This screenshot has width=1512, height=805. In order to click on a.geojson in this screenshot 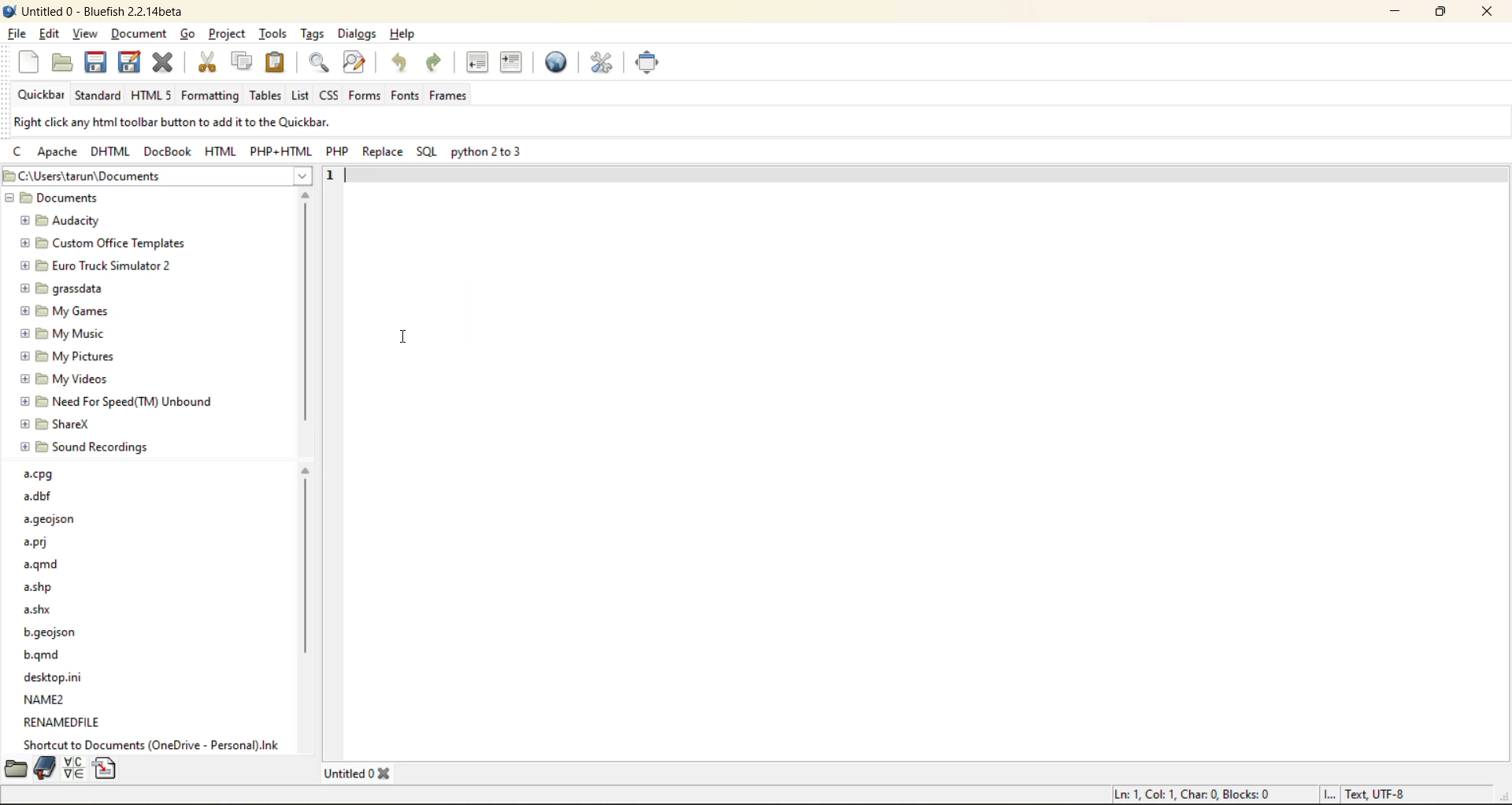, I will do `click(51, 521)`.